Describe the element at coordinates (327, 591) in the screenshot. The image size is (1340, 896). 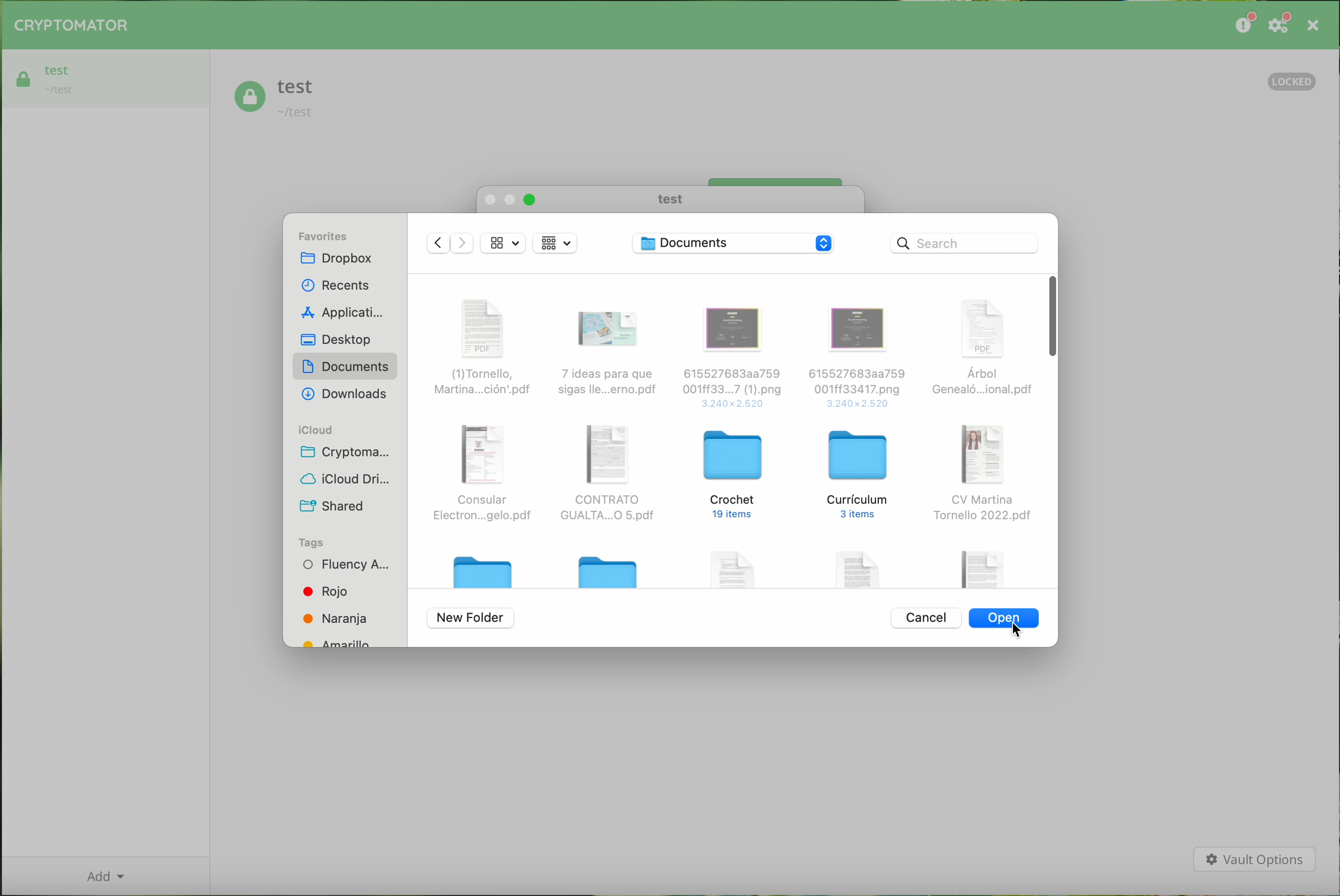
I see `red` at that location.